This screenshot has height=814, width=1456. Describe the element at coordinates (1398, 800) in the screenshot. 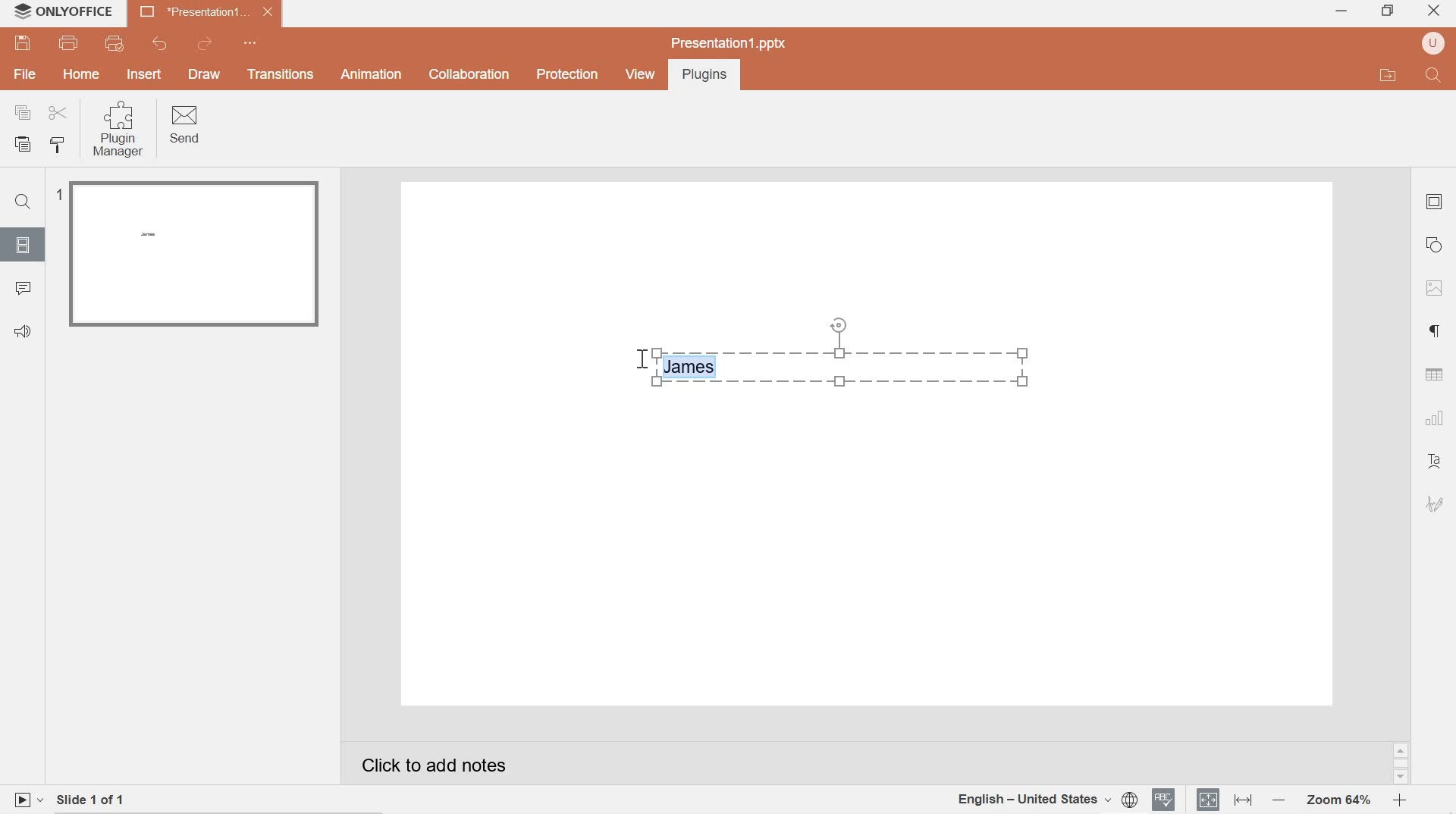

I see `zoom in` at that location.